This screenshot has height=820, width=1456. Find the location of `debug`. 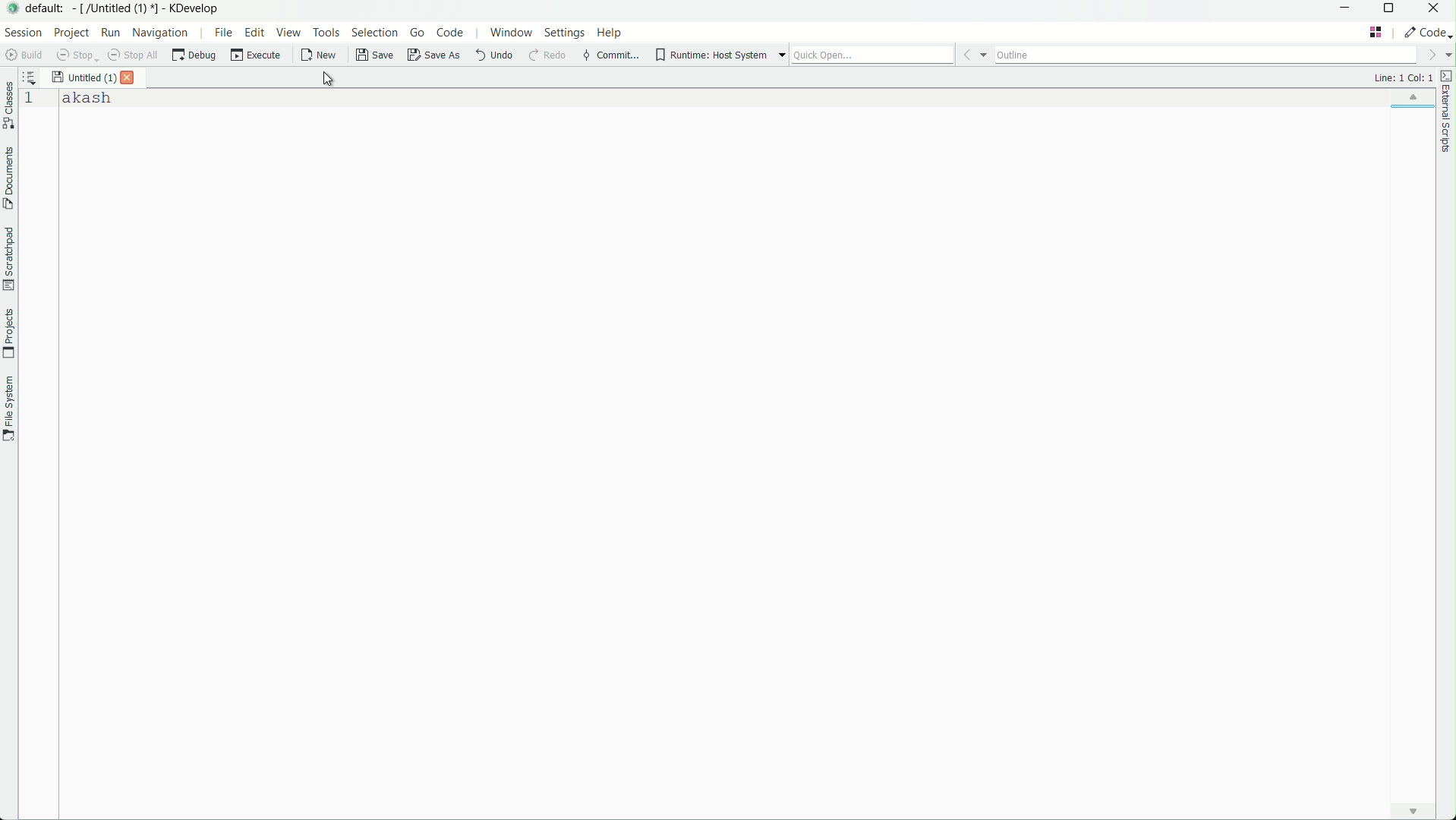

debug is located at coordinates (194, 56).